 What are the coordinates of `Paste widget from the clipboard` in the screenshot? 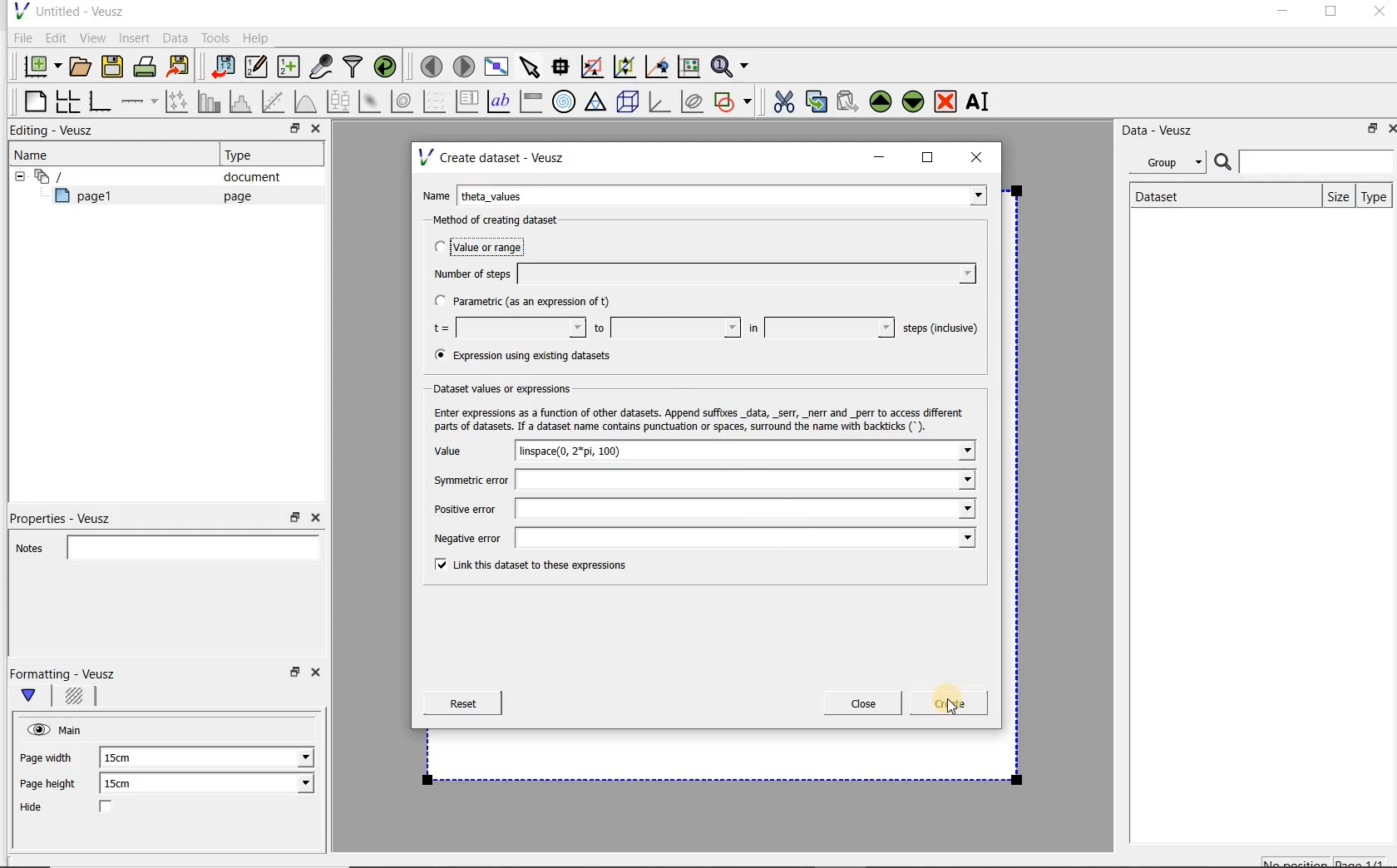 It's located at (850, 101).